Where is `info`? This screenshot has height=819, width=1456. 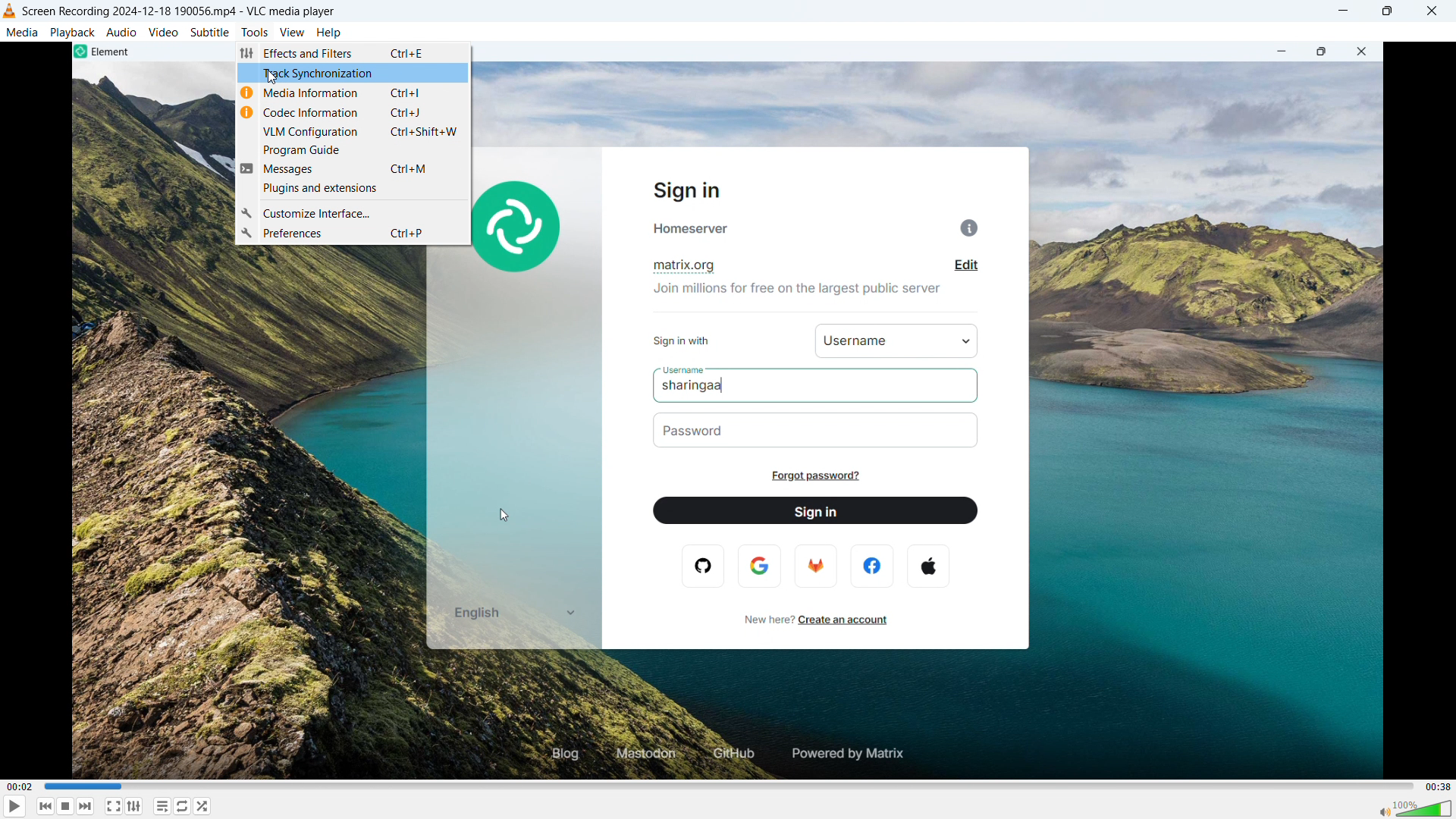 info is located at coordinates (957, 230).